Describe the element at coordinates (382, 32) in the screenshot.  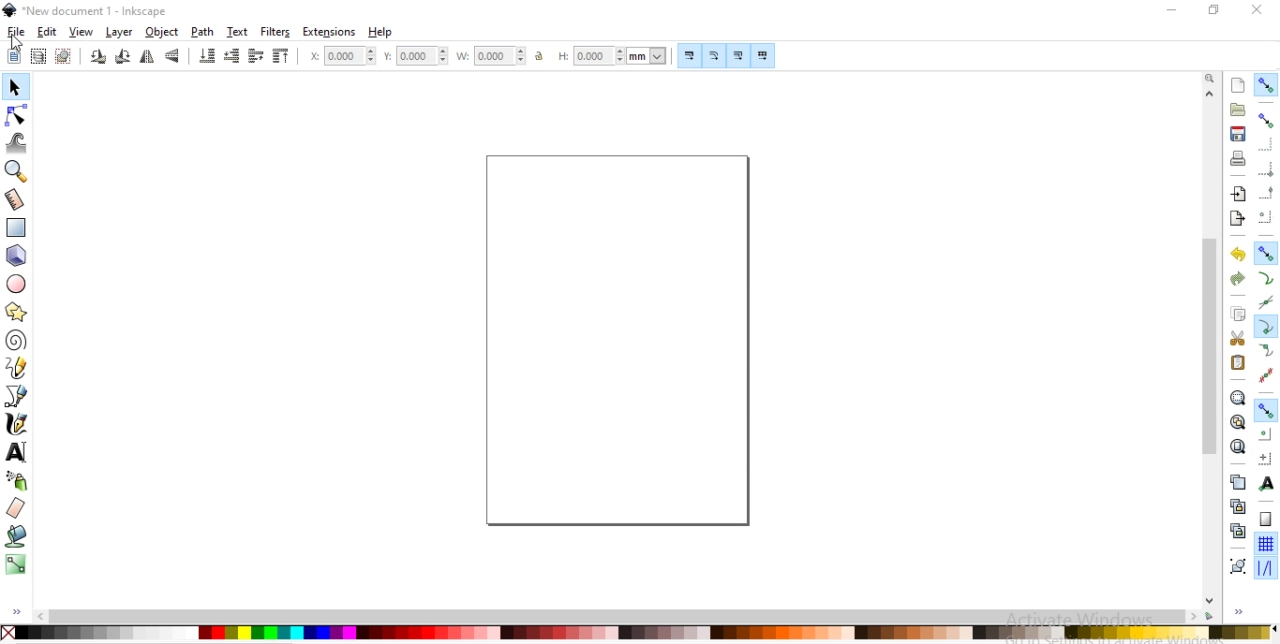
I see `help` at that location.